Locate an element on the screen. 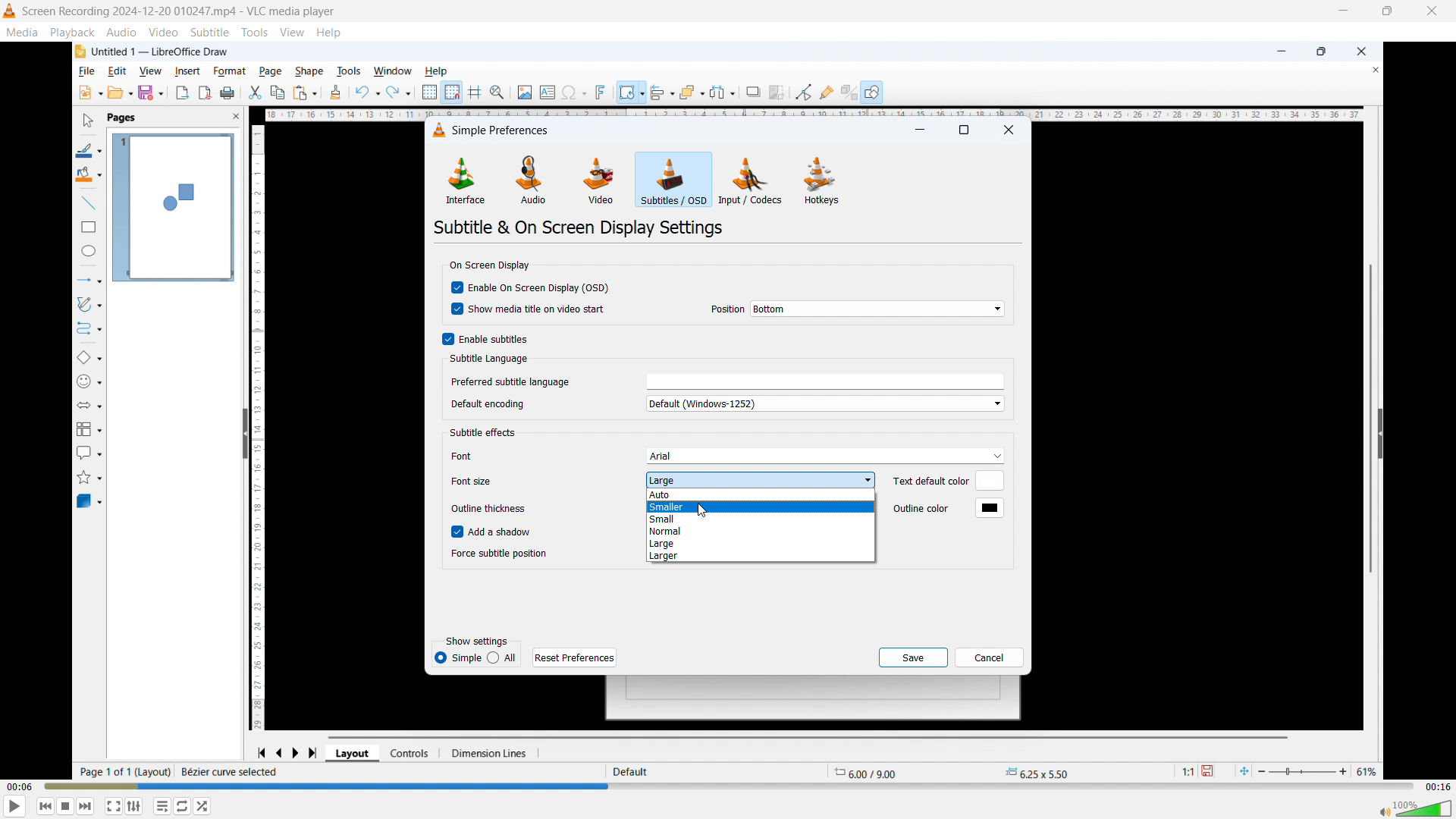  Show settings is located at coordinates (477, 642).